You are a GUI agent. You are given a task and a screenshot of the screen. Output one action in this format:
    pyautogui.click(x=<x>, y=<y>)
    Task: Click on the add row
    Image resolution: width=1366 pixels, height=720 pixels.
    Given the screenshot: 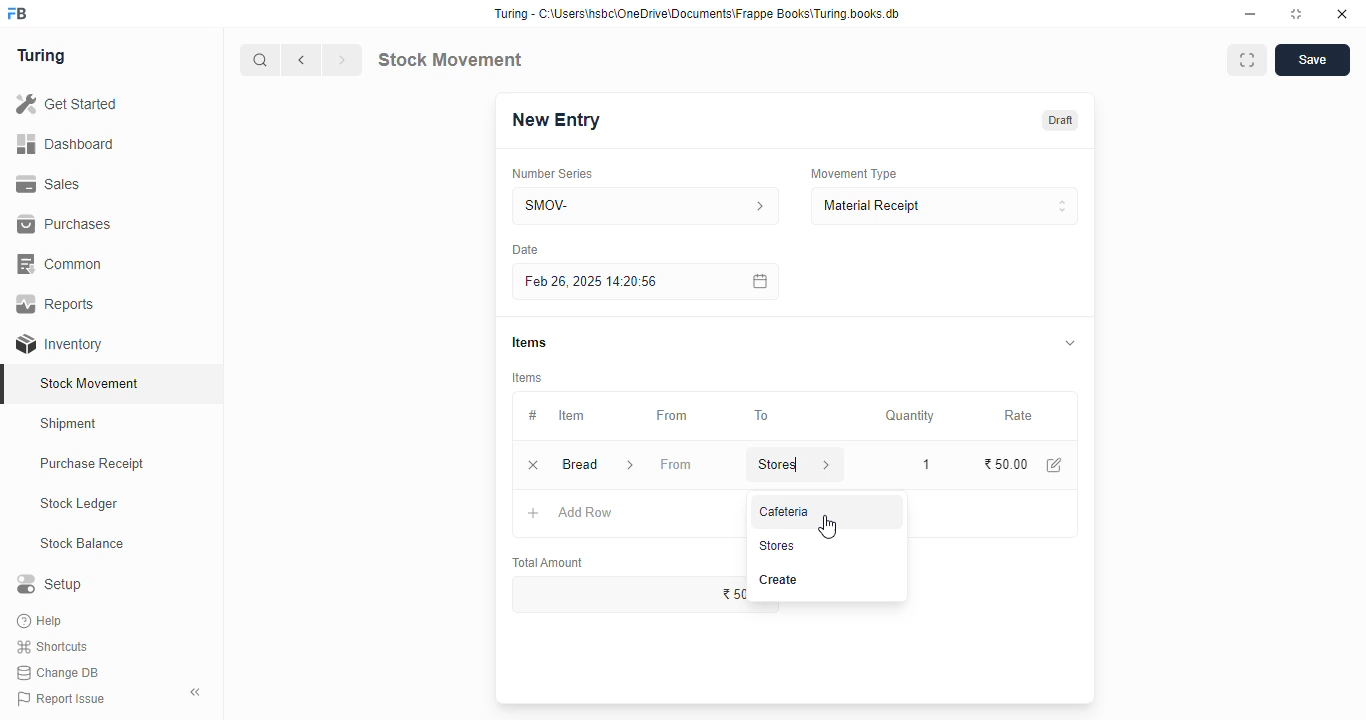 What is the action you would take?
    pyautogui.click(x=586, y=512)
    